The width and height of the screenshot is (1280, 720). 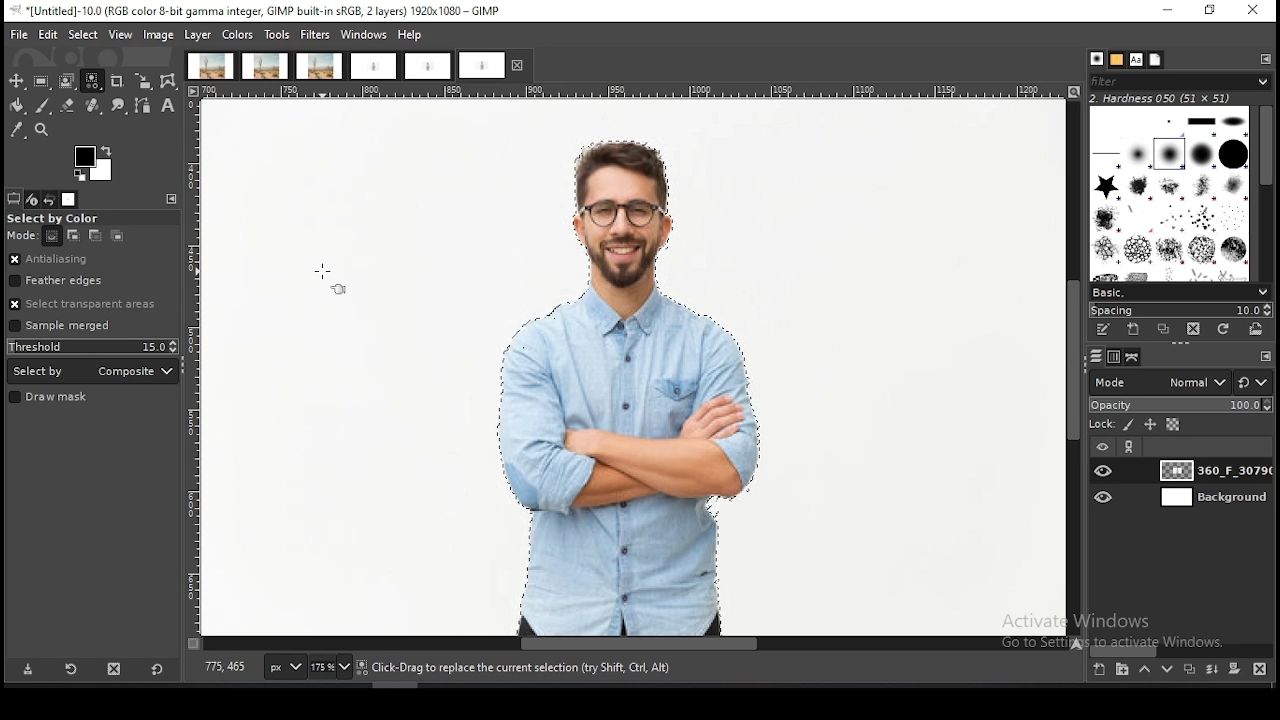 What do you see at coordinates (1255, 329) in the screenshot?
I see `open brush as image` at bounding box center [1255, 329].